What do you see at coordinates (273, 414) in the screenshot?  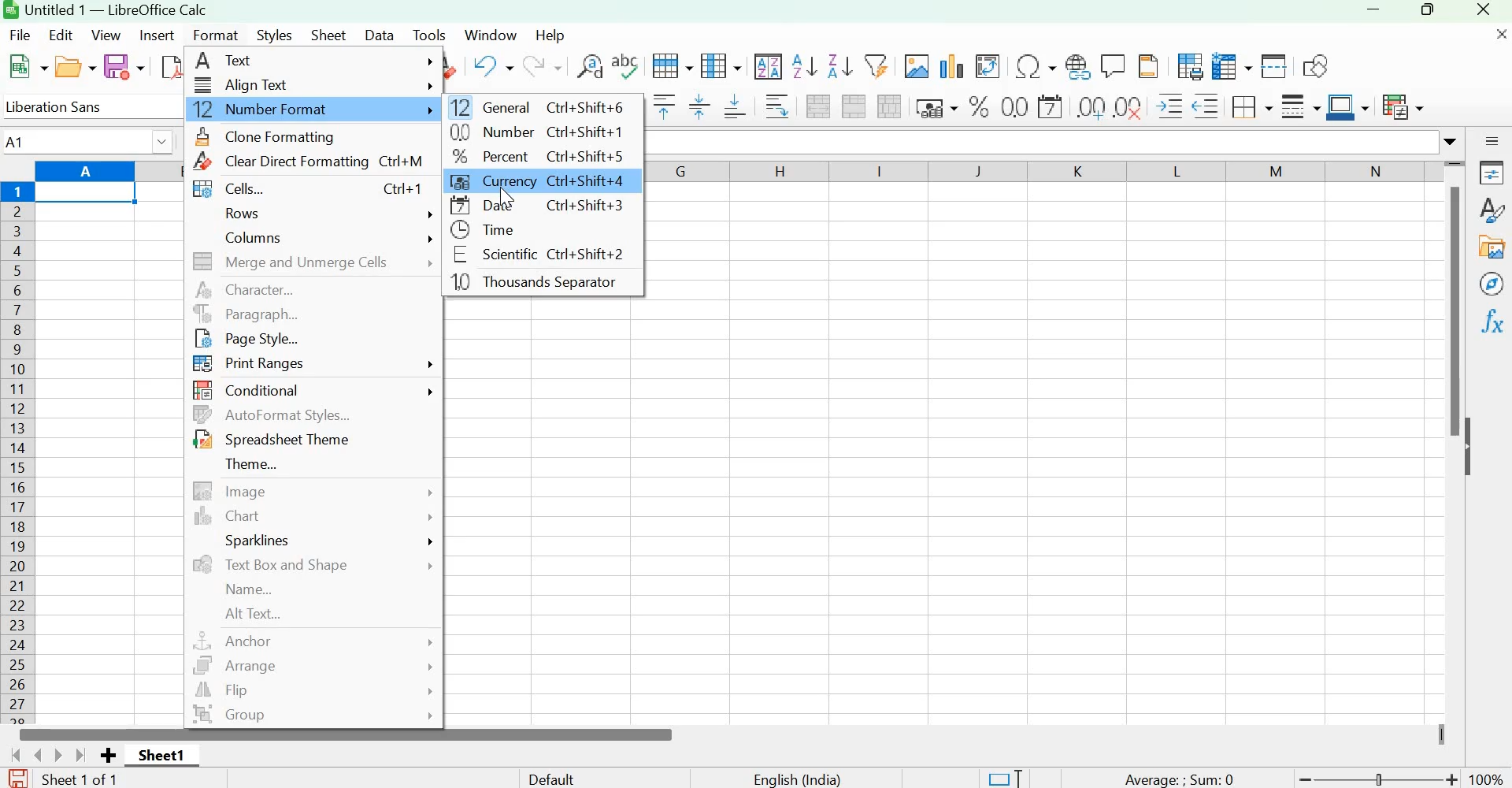 I see `AutoFormat Styles` at bounding box center [273, 414].